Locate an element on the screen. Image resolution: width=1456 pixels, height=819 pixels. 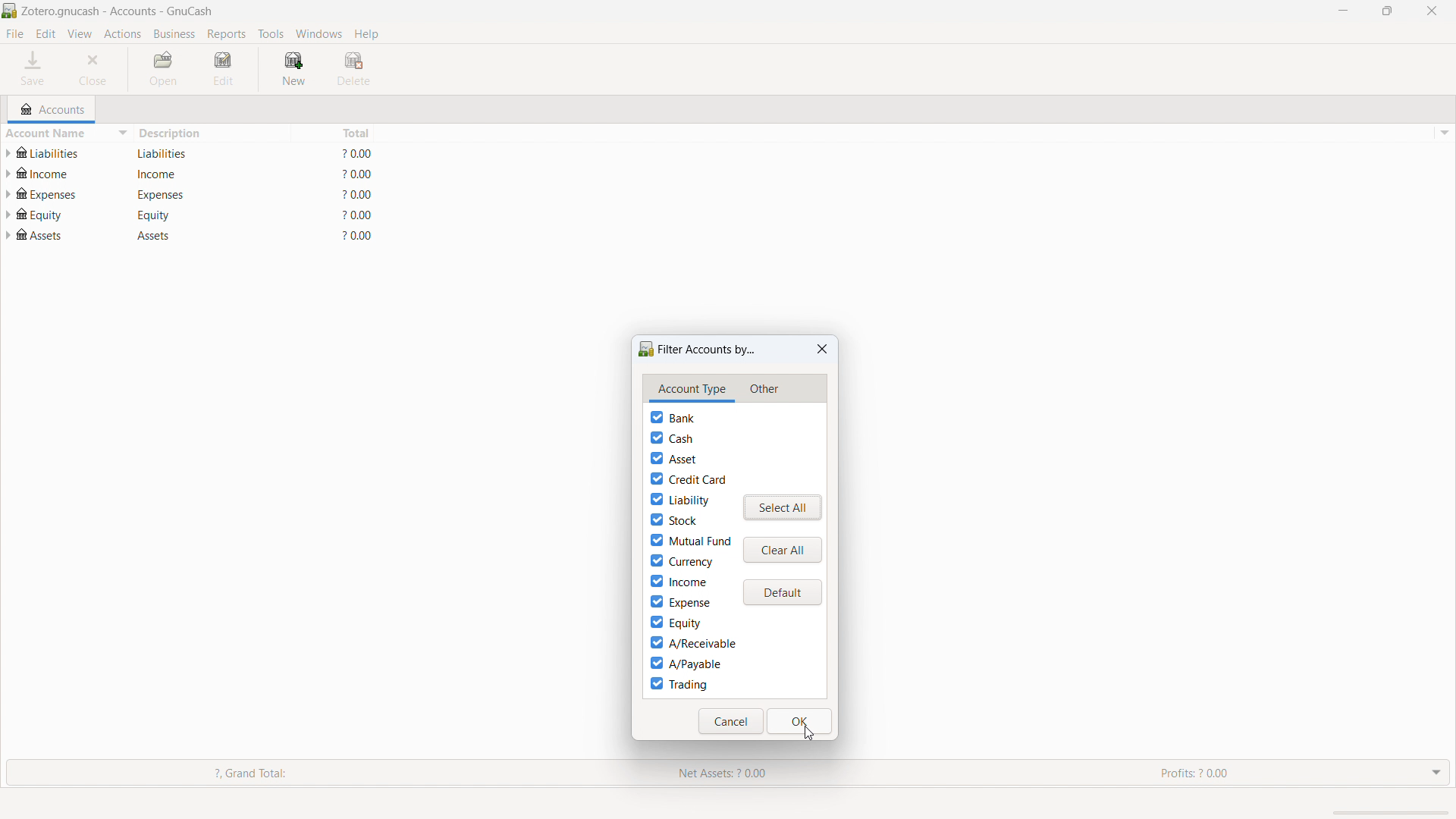
account name is located at coordinates (55, 174).